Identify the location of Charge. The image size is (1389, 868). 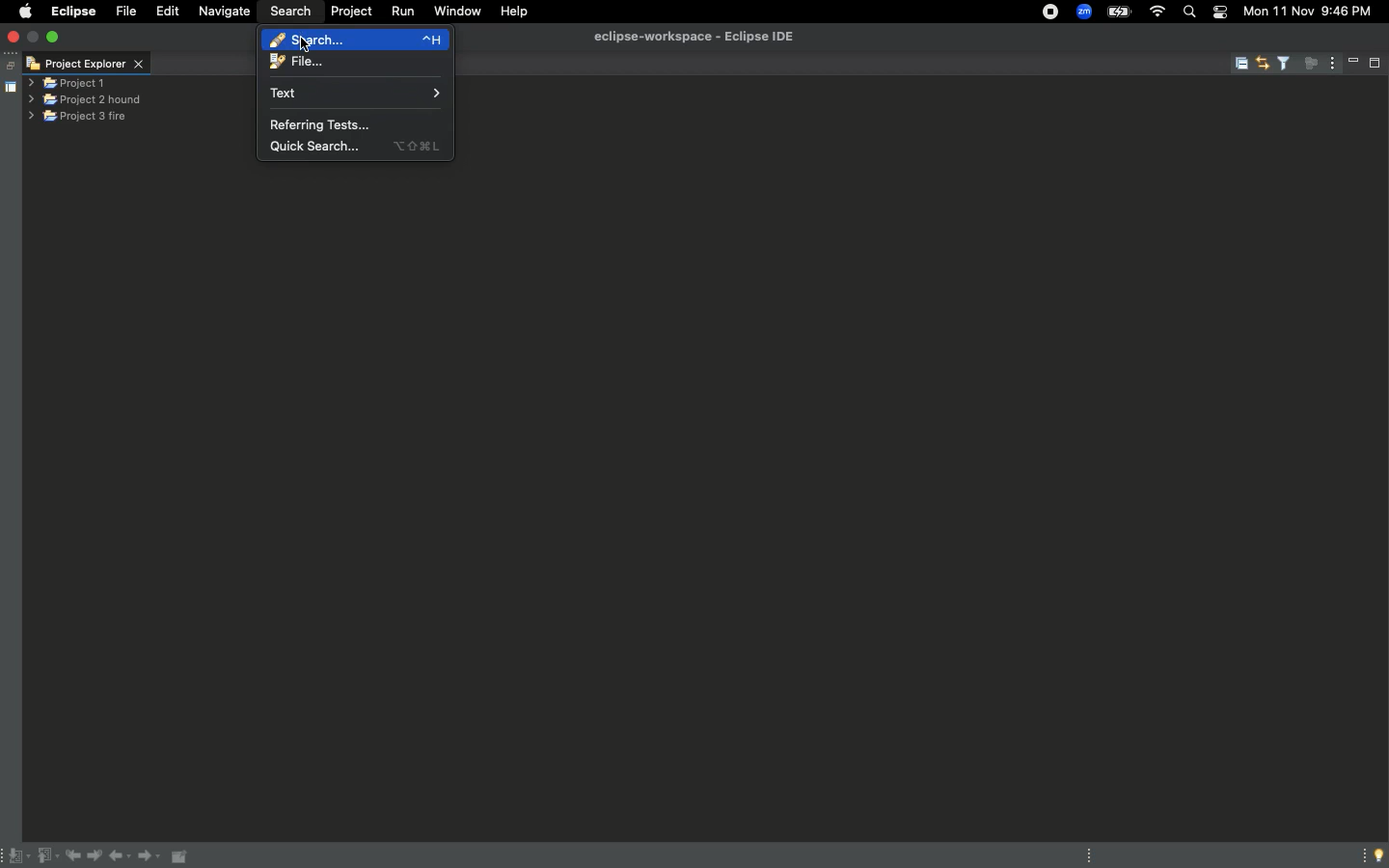
(1118, 12).